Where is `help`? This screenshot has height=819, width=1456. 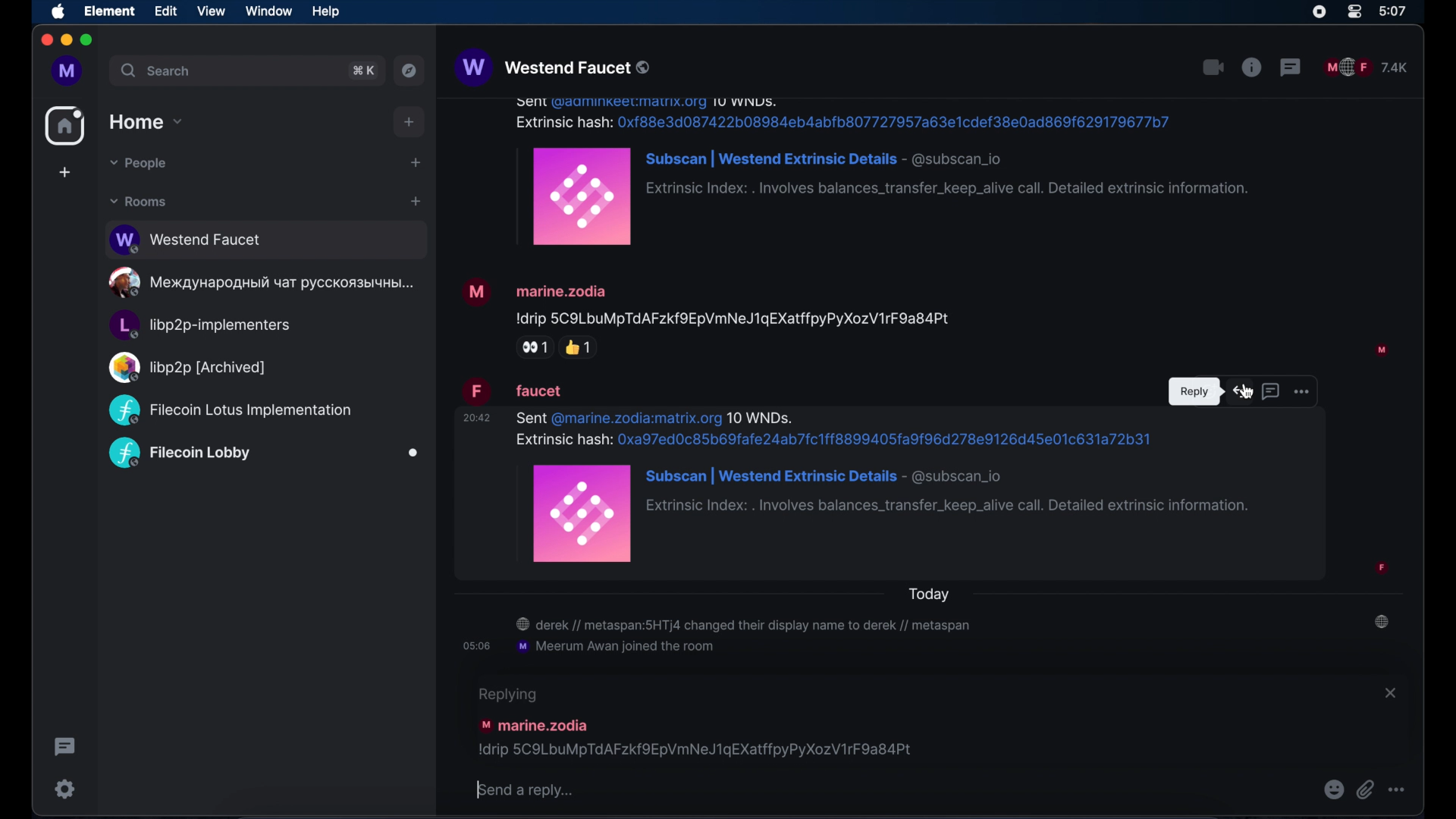 help is located at coordinates (325, 11).